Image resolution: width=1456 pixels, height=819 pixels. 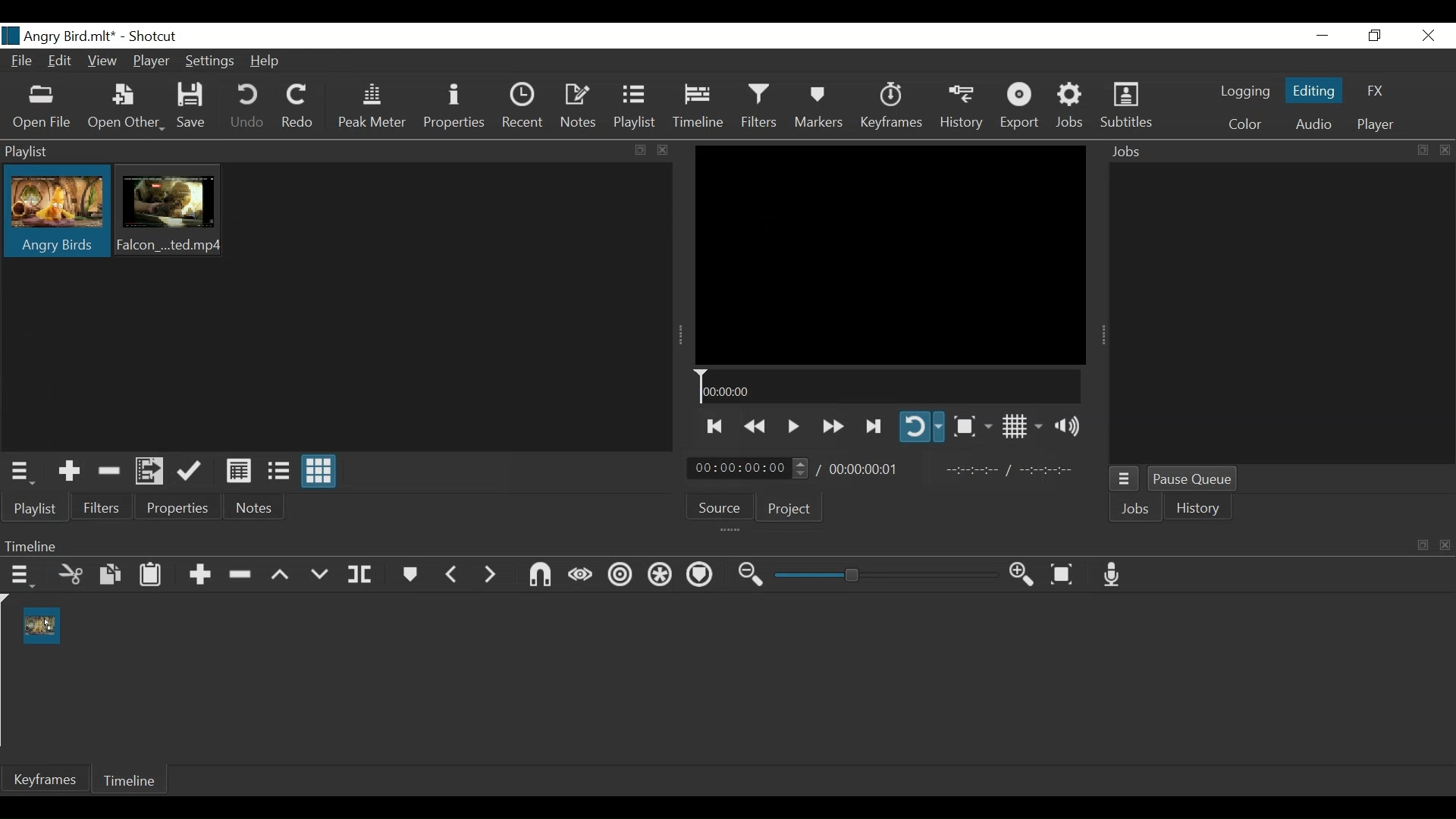 What do you see at coordinates (1277, 150) in the screenshot?
I see `Jobs Panel` at bounding box center [1277, 150].